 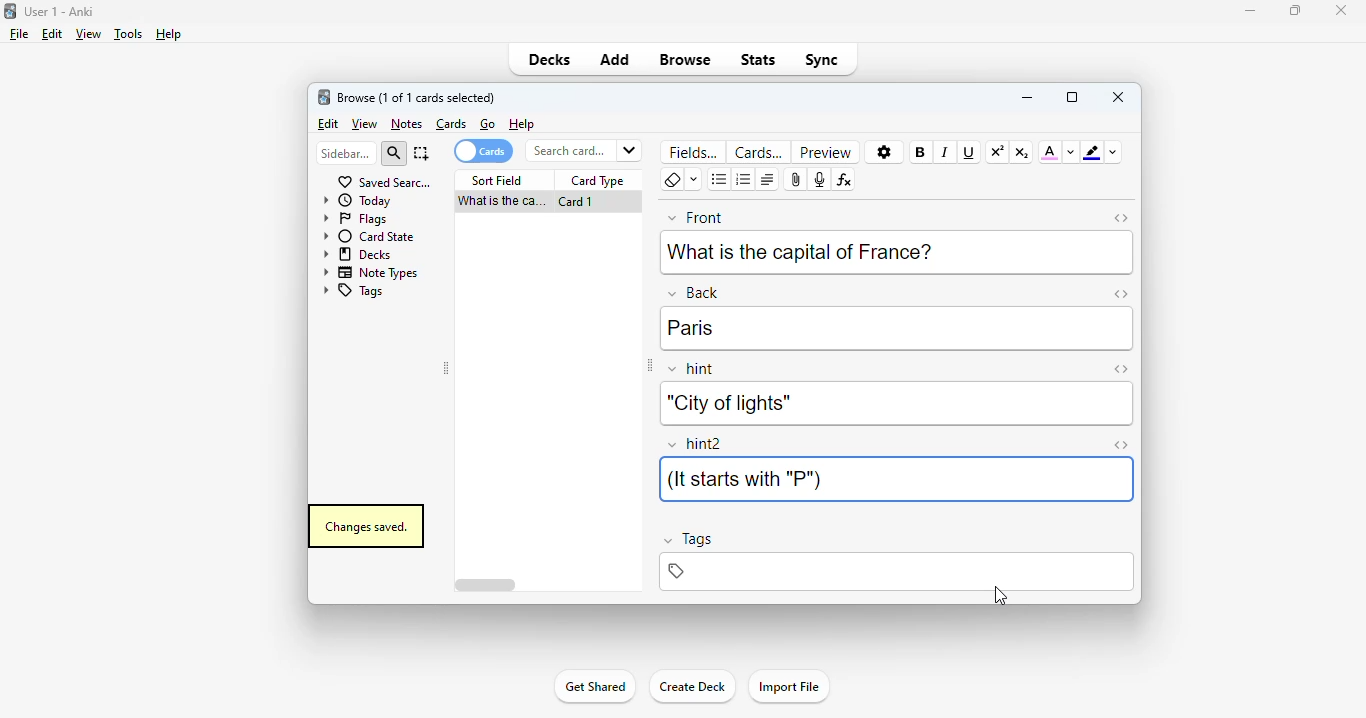 What do you see at coordinates (944, 152) in the screenshot?
I see `italic` at bounding box center [944, 152].